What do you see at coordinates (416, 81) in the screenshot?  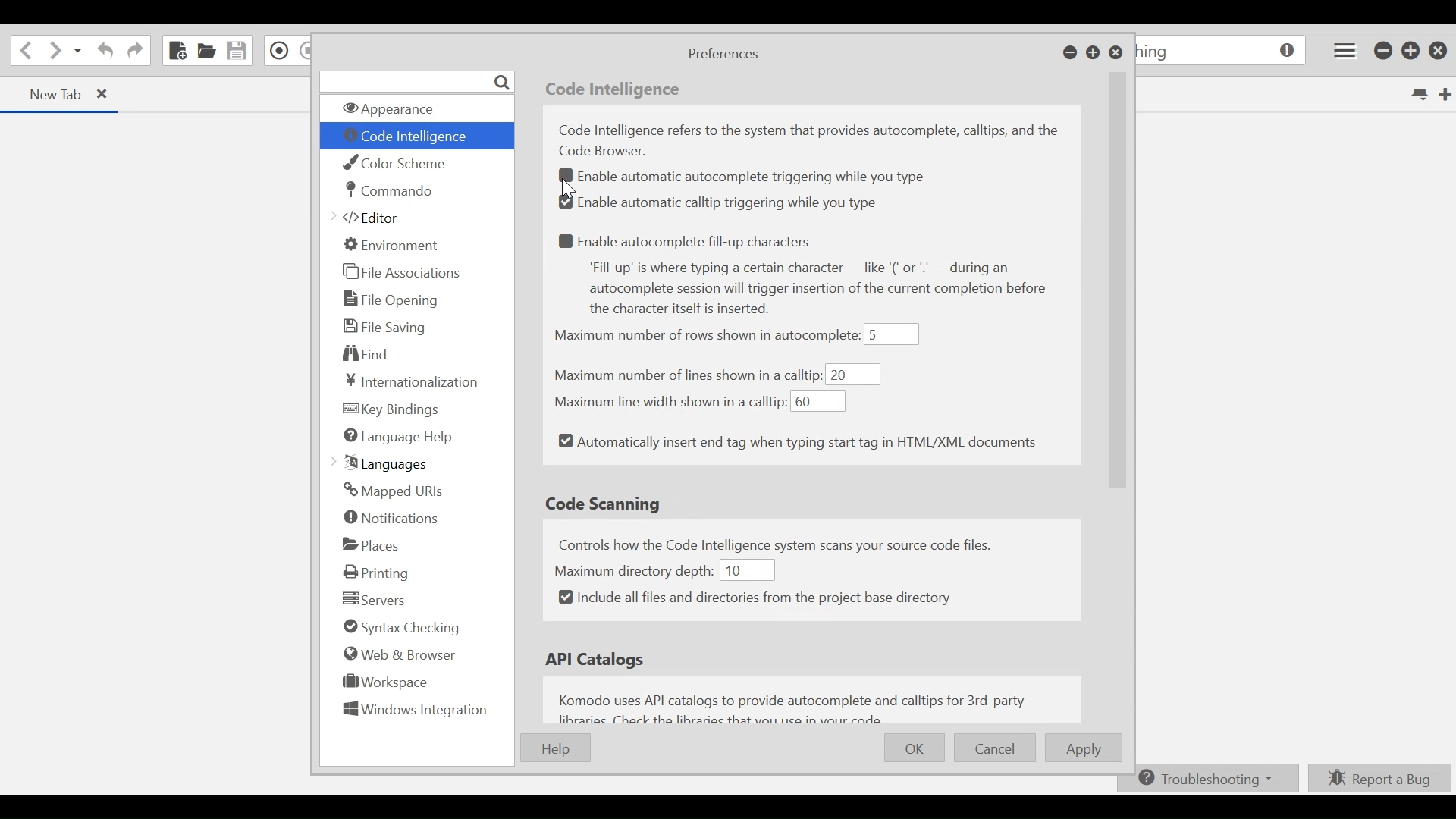 I see `Search` at bounding box center [416, 81].